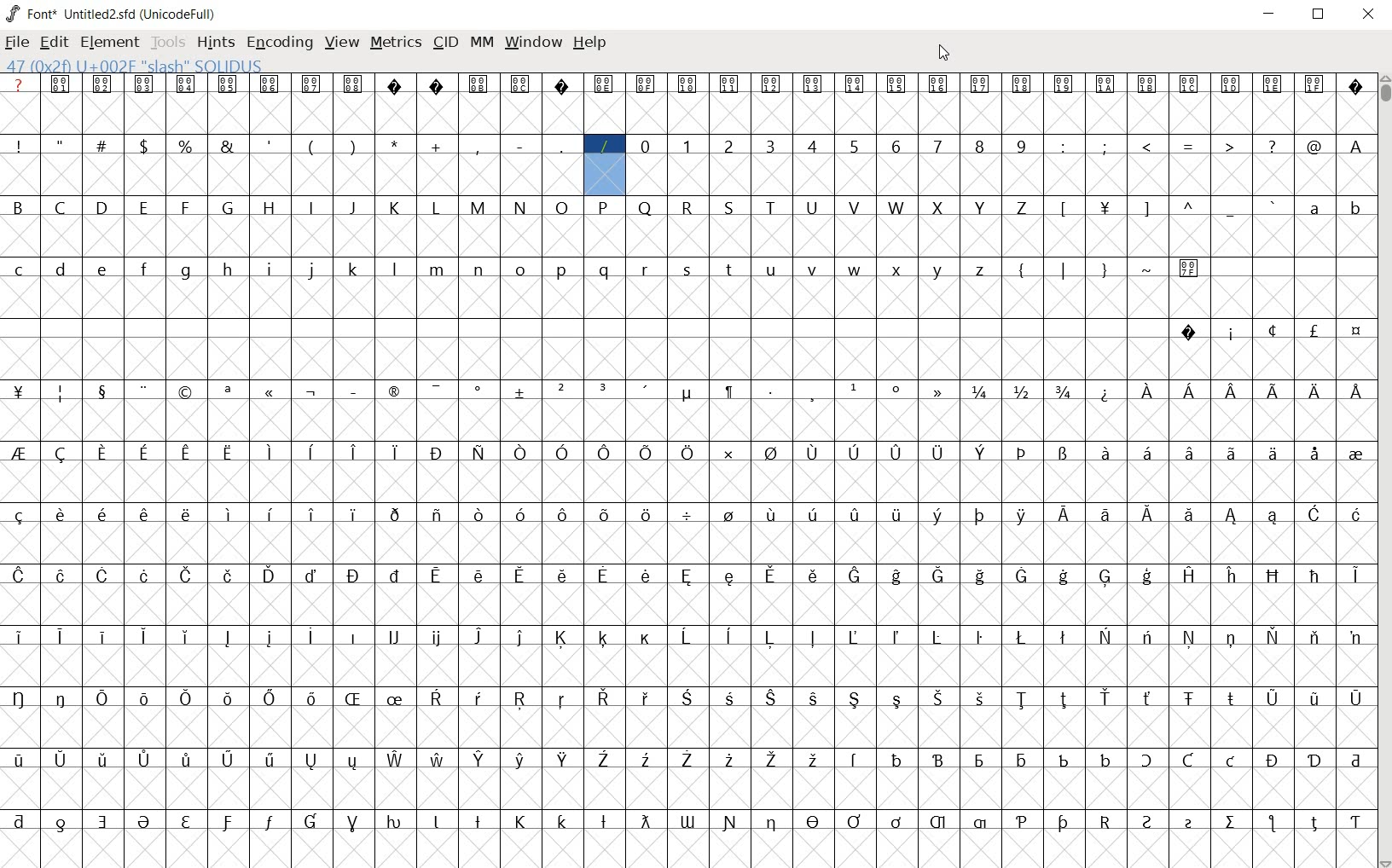 This screenshot has width=1392, height=868. I want to click on glyph, so click(937, 637).